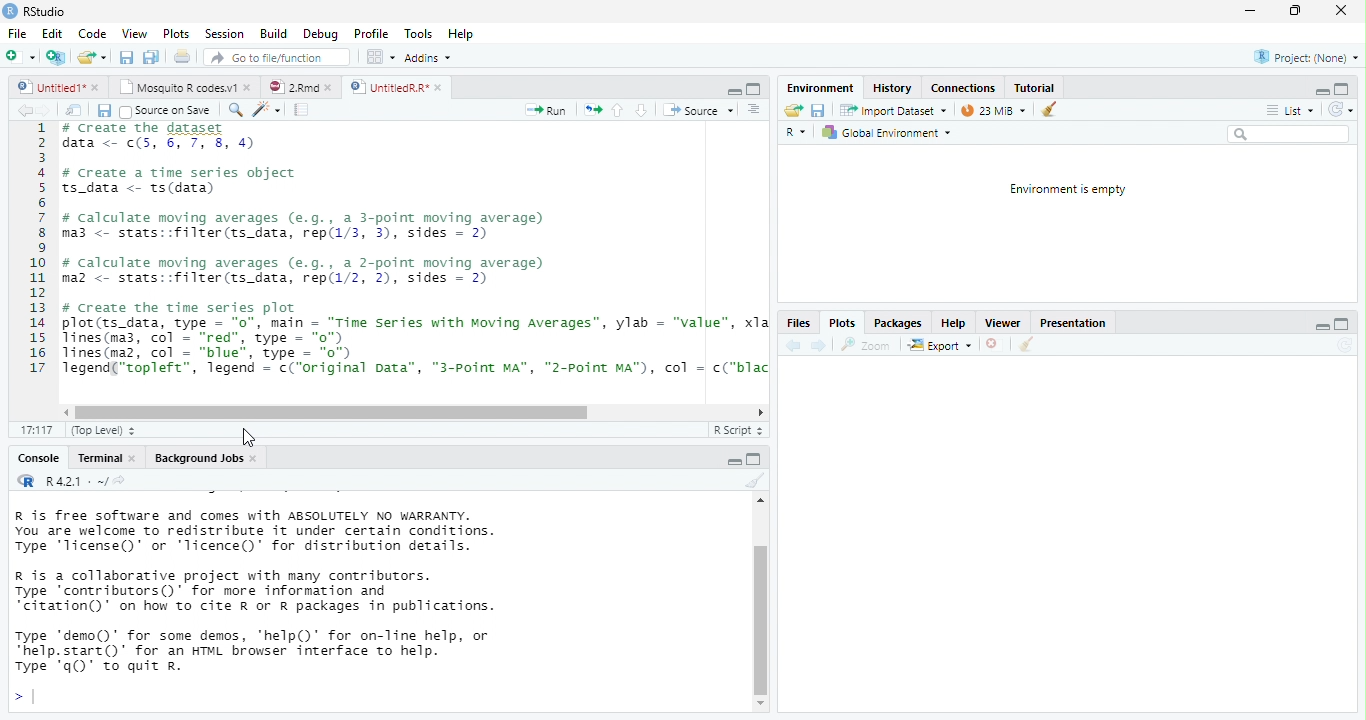 This screenshot has height=720, width=1366. What do you see at coordinates (291, 87) in the screenshot?
I see `2Rmd` at bounding box center [291, 87].